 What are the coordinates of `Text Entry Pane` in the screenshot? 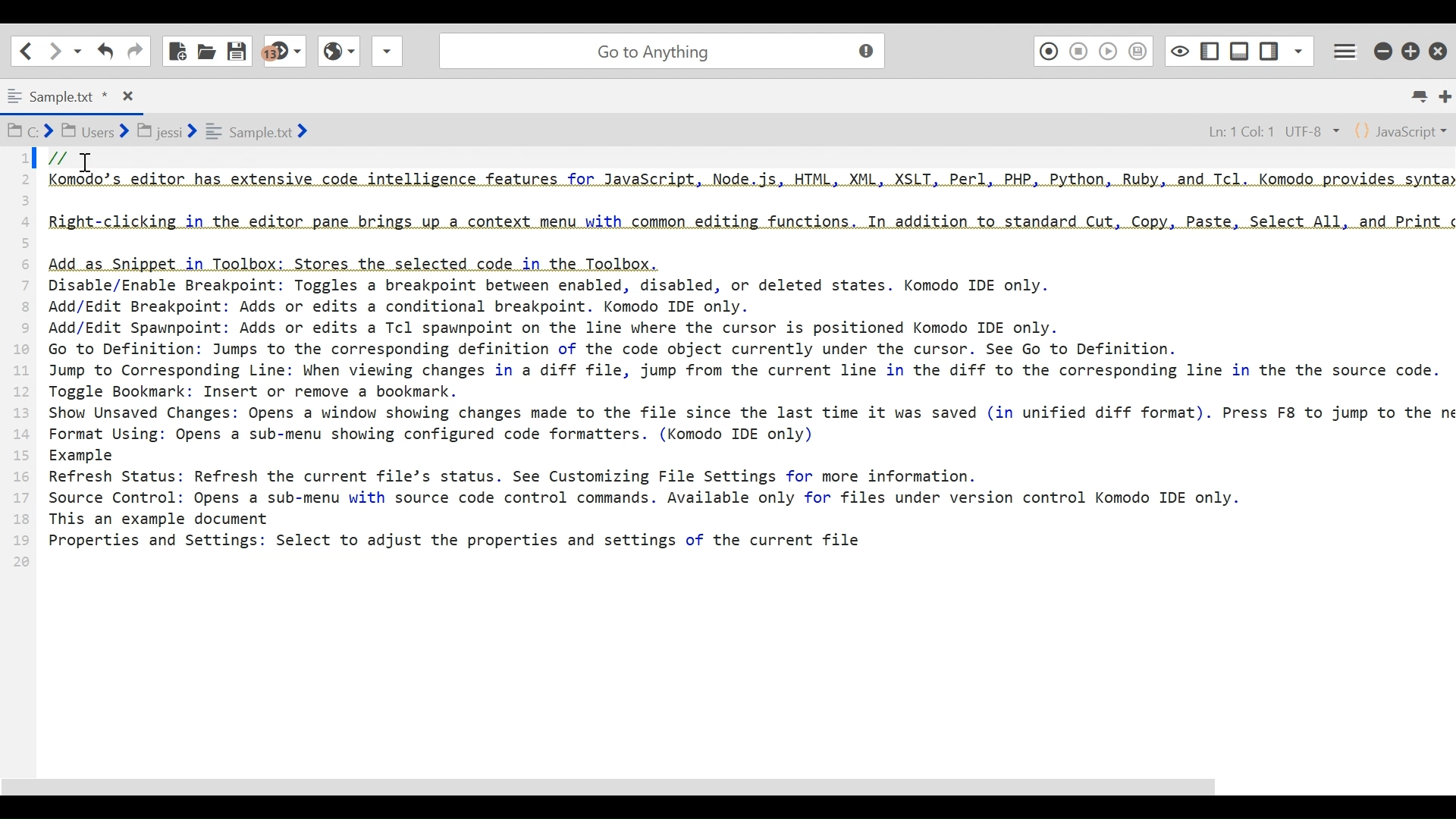 It's located at (724, 453).